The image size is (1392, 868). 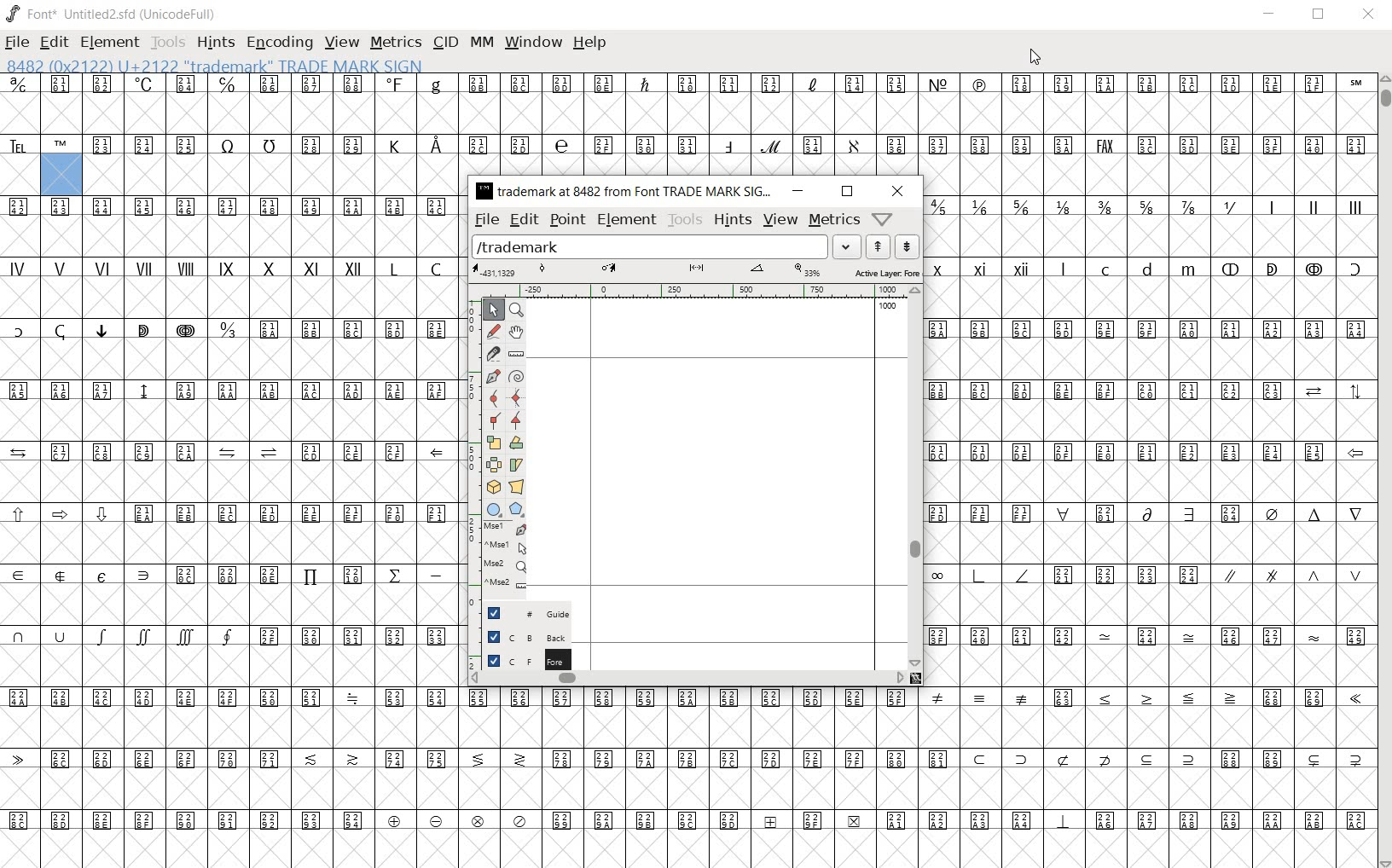 What do you see at coordinates (521, 634) in the screenshot?
I see `background` at bounding box center [521, 634].